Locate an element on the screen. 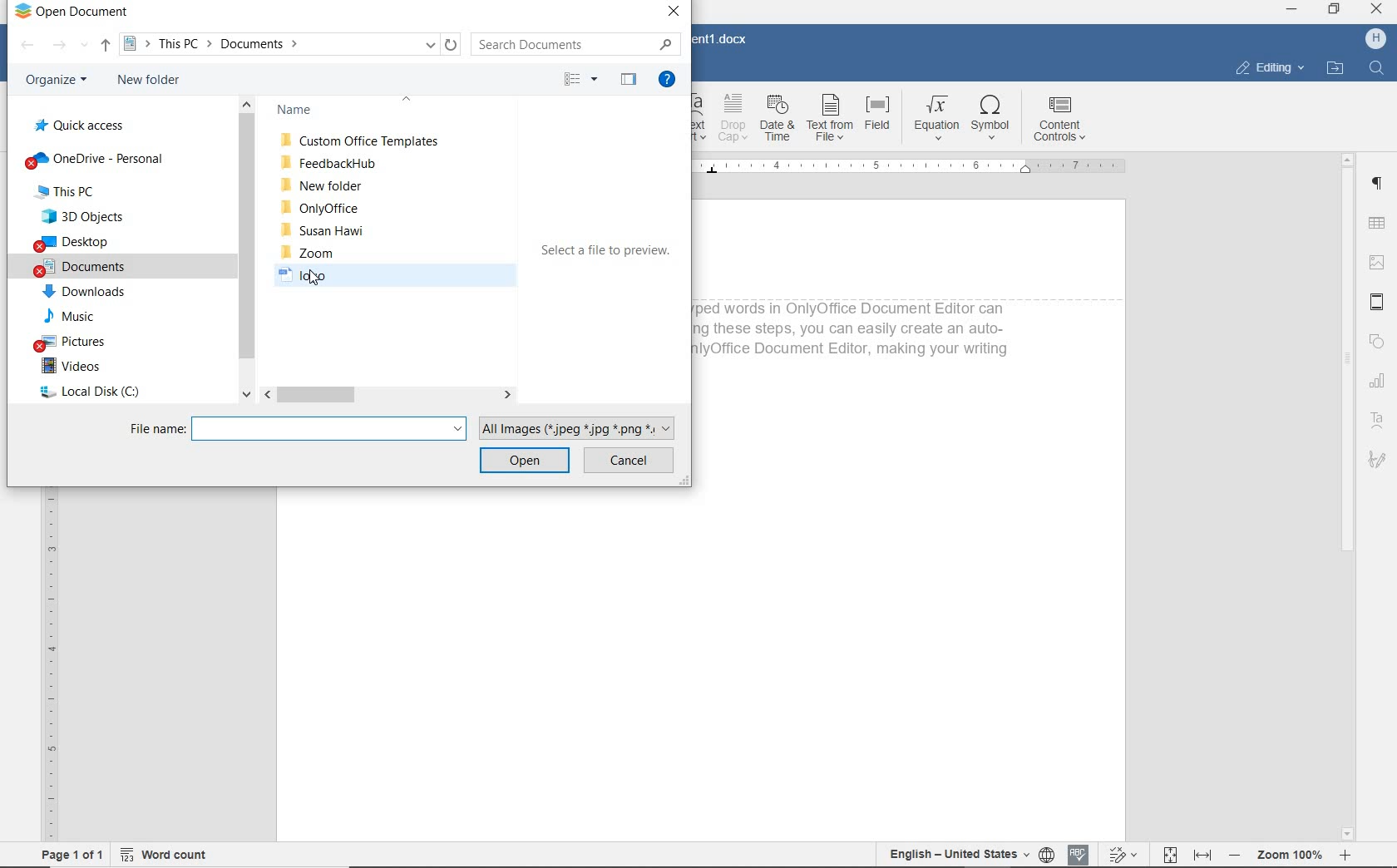 The image size is (1397, 868). PARAGRAPH SETTINGS is located at coordinates (1376, 184).